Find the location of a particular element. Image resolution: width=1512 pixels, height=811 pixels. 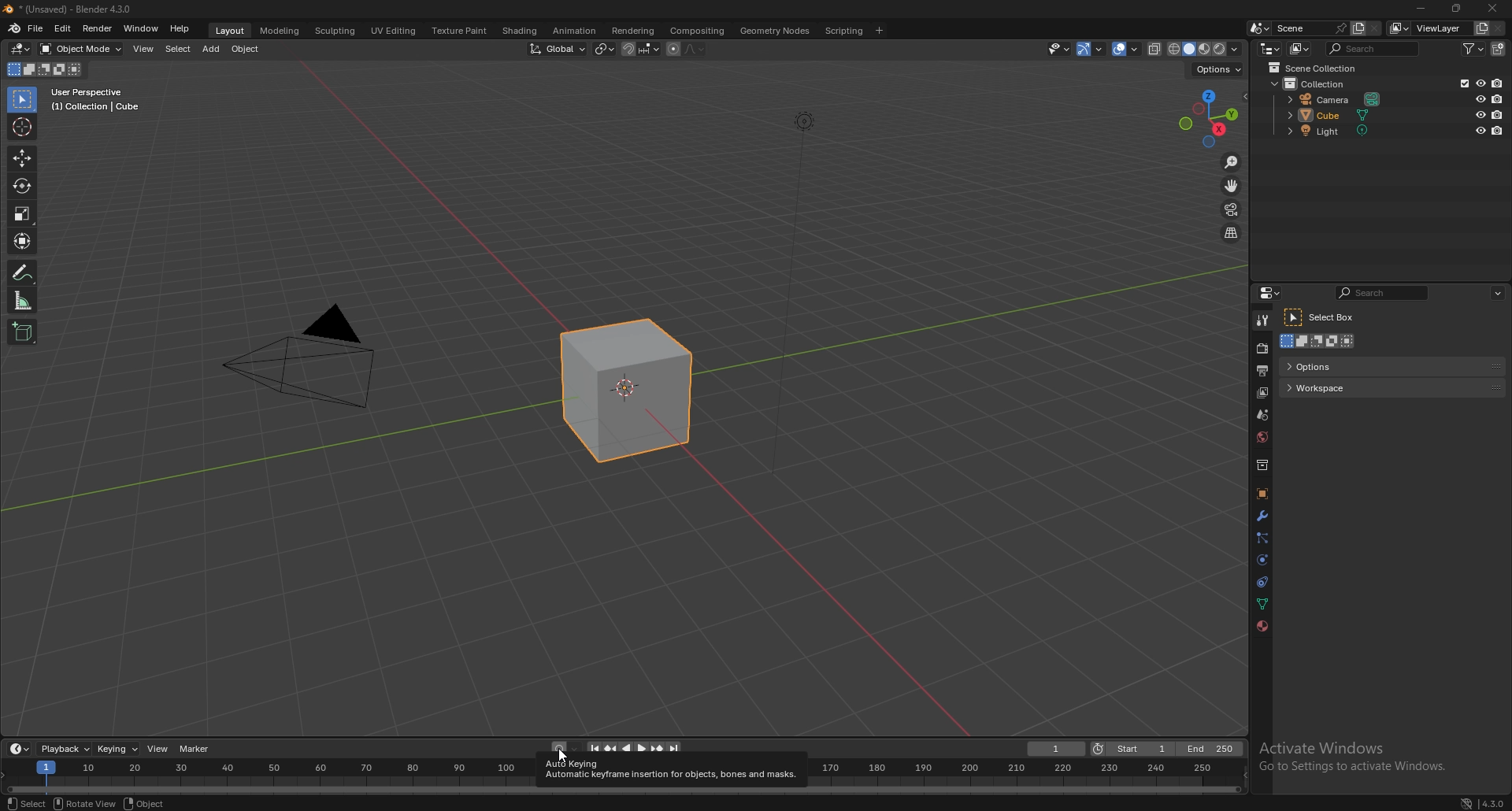

remove view layer is located at coordinates (1499, 28).